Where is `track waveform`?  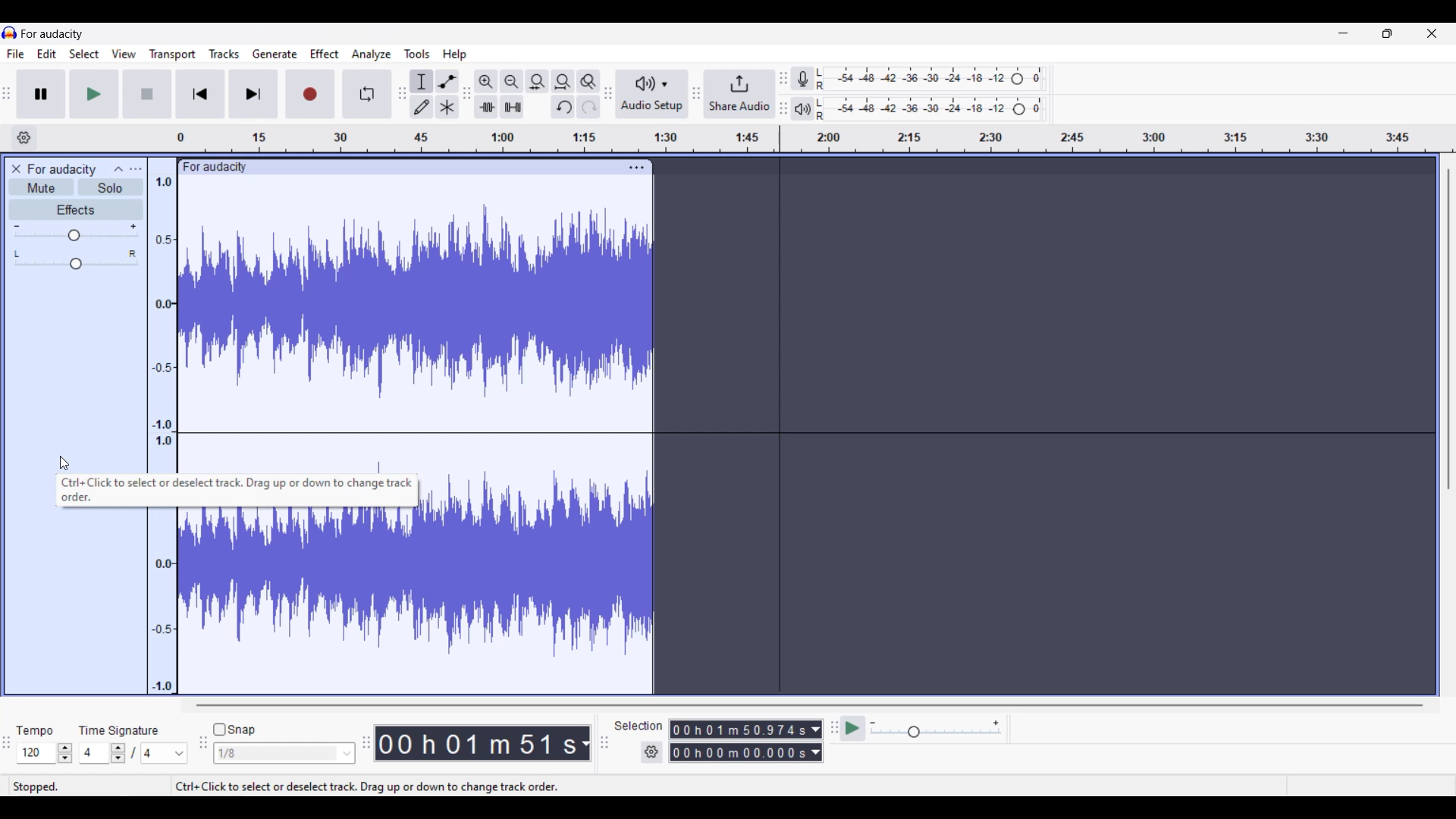
track waveform is located at coordinates (419, 303).